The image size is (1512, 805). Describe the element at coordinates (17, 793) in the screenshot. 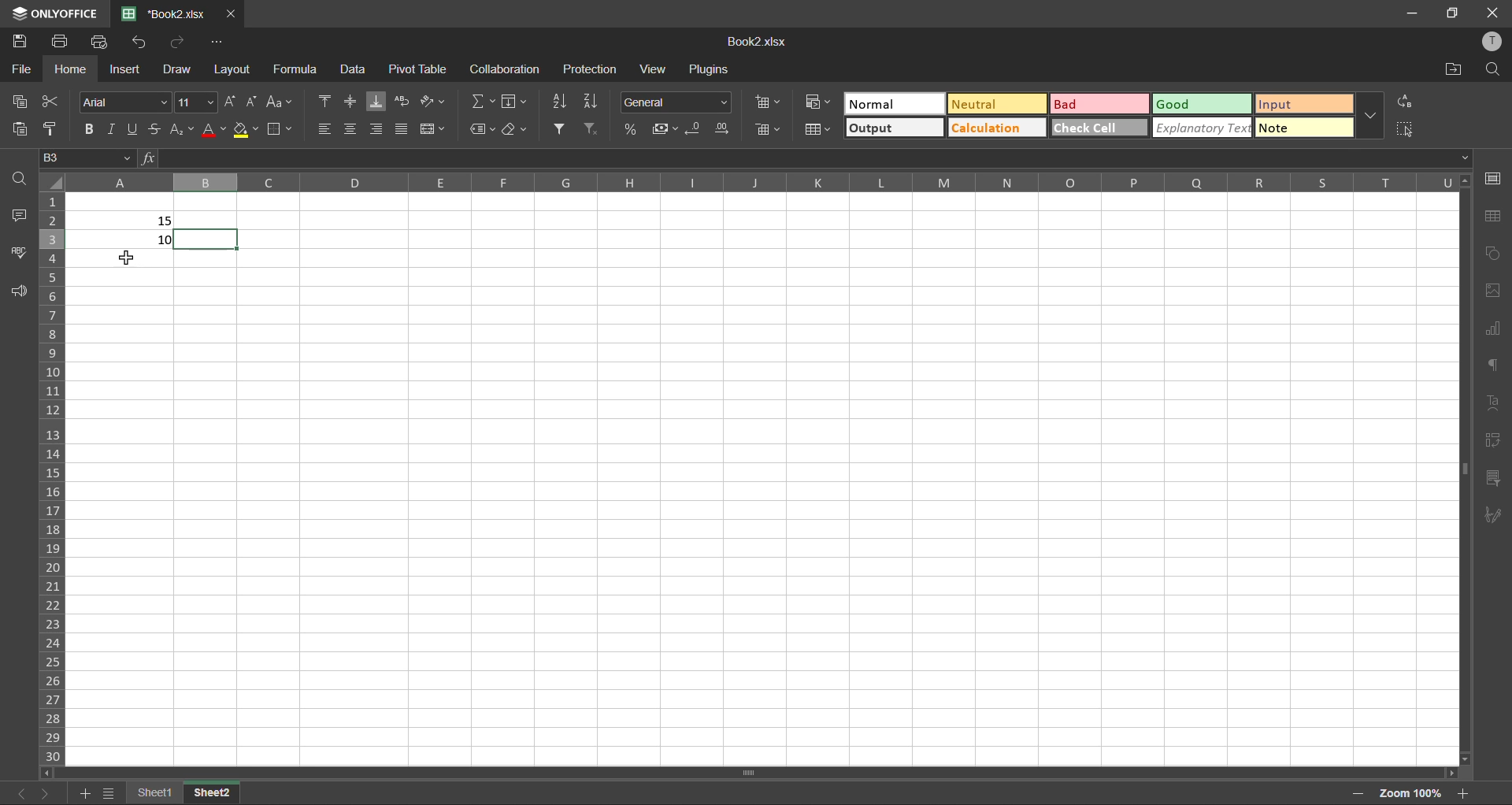

I see `previous` at that location.